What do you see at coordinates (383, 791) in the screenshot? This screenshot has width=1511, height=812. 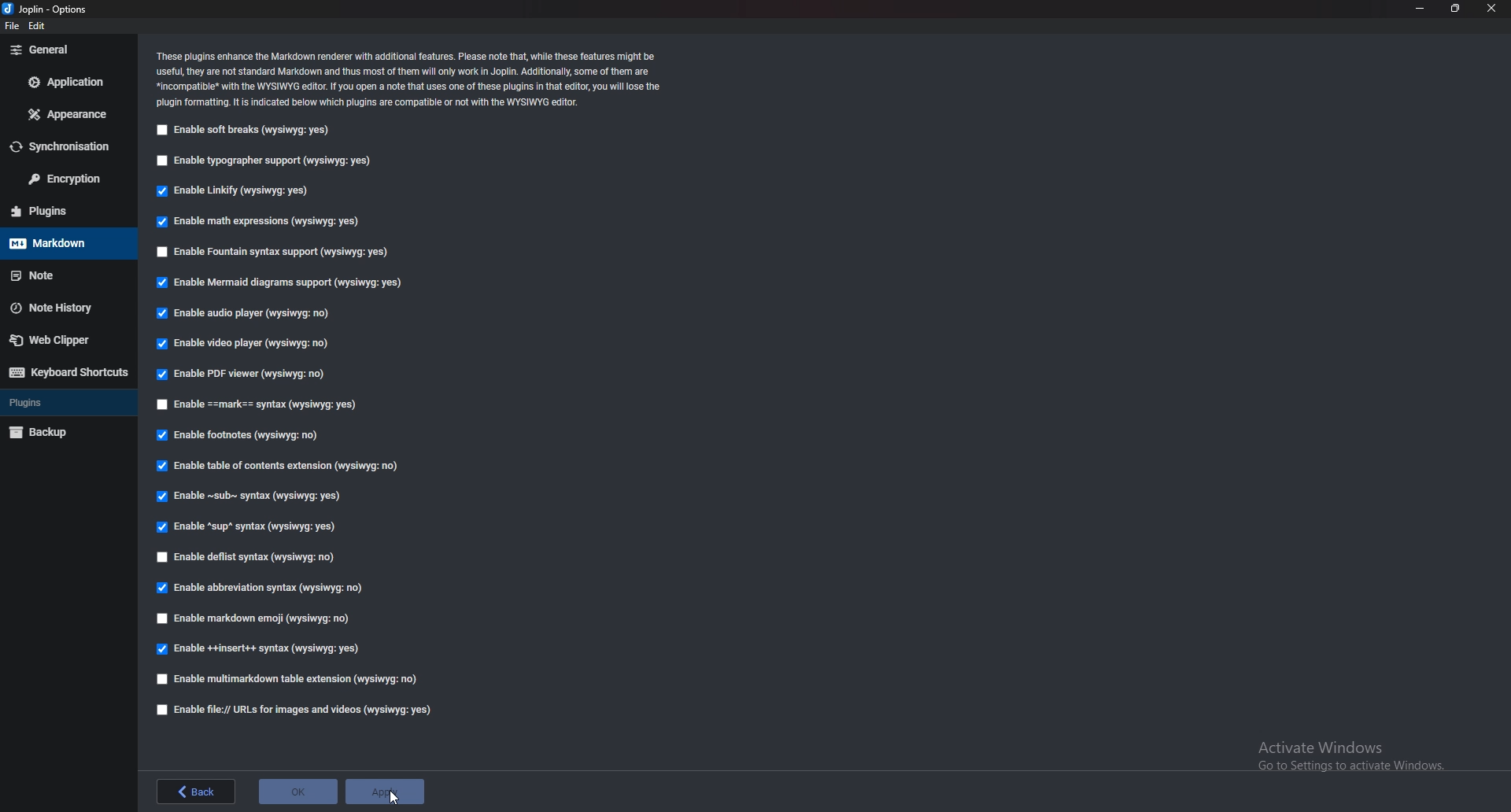 I see `apply` at bounding box center [383, 791].